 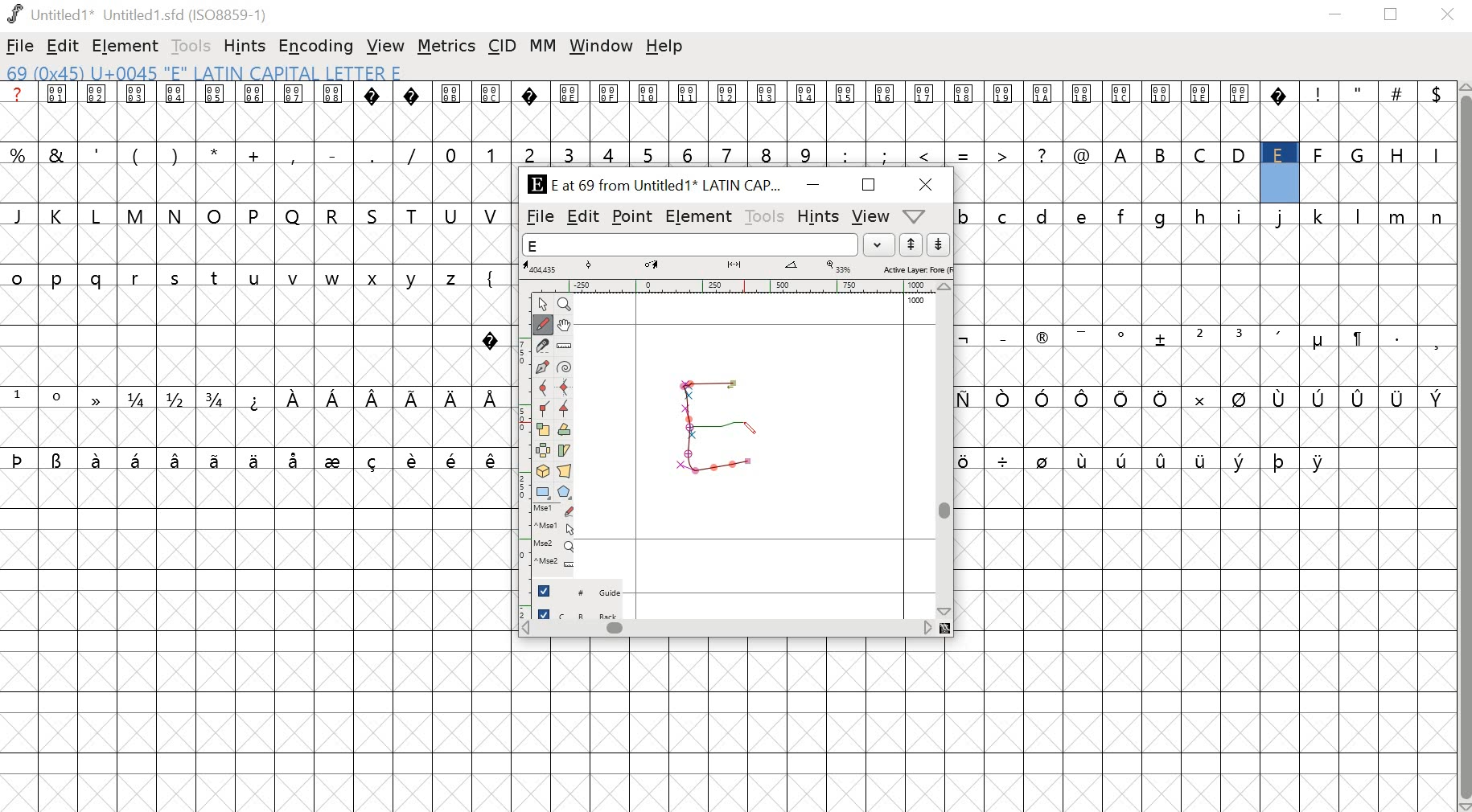 What do you see at coordinates (1205, 338) in the screenshot?
I see `special characters and symbols` at bounding box center [1205, 338].